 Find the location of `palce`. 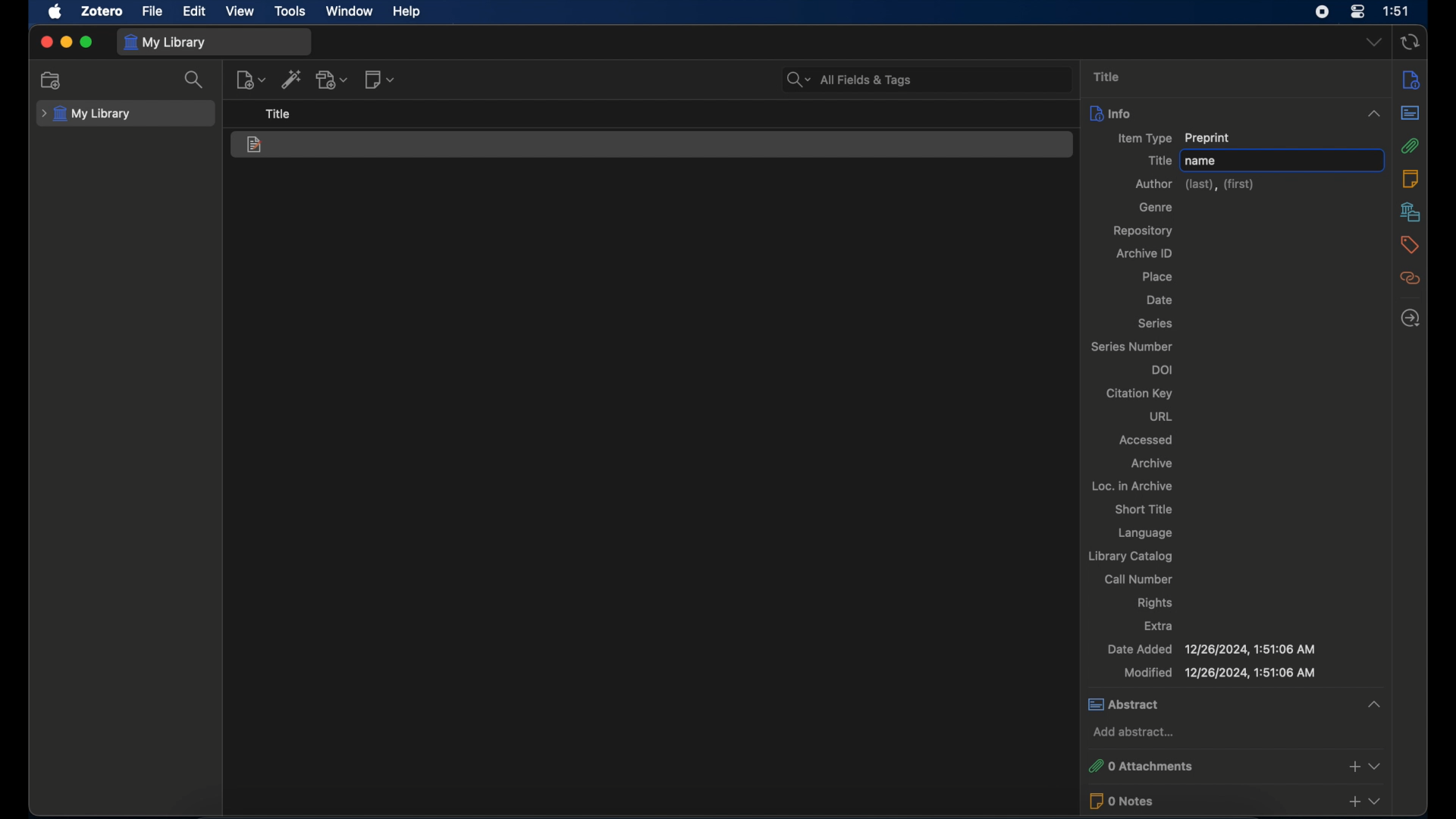

palce is located at coordinates (1159, 278).